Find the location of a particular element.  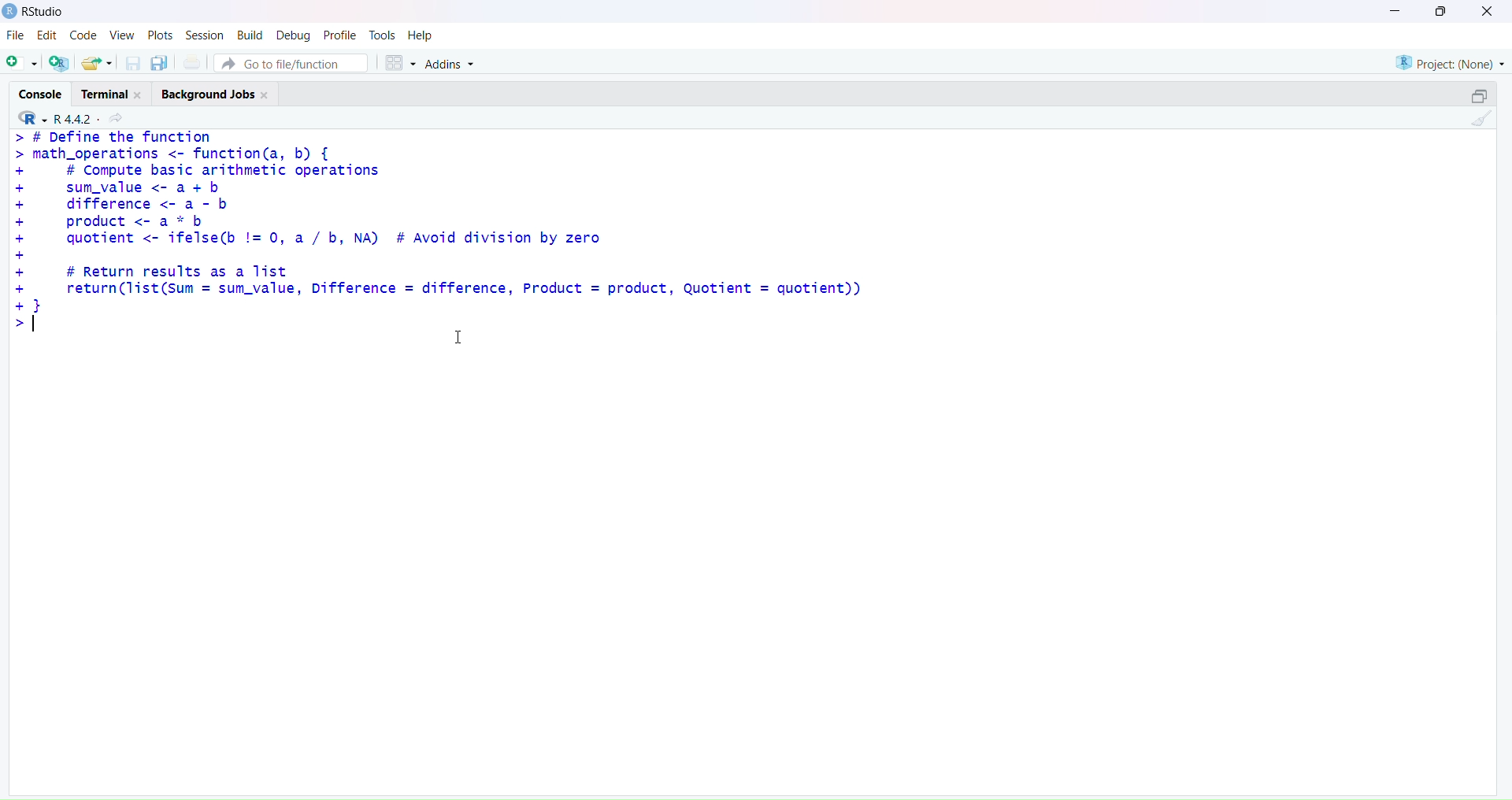

View the current working directory is located at coordinates (119, 119).